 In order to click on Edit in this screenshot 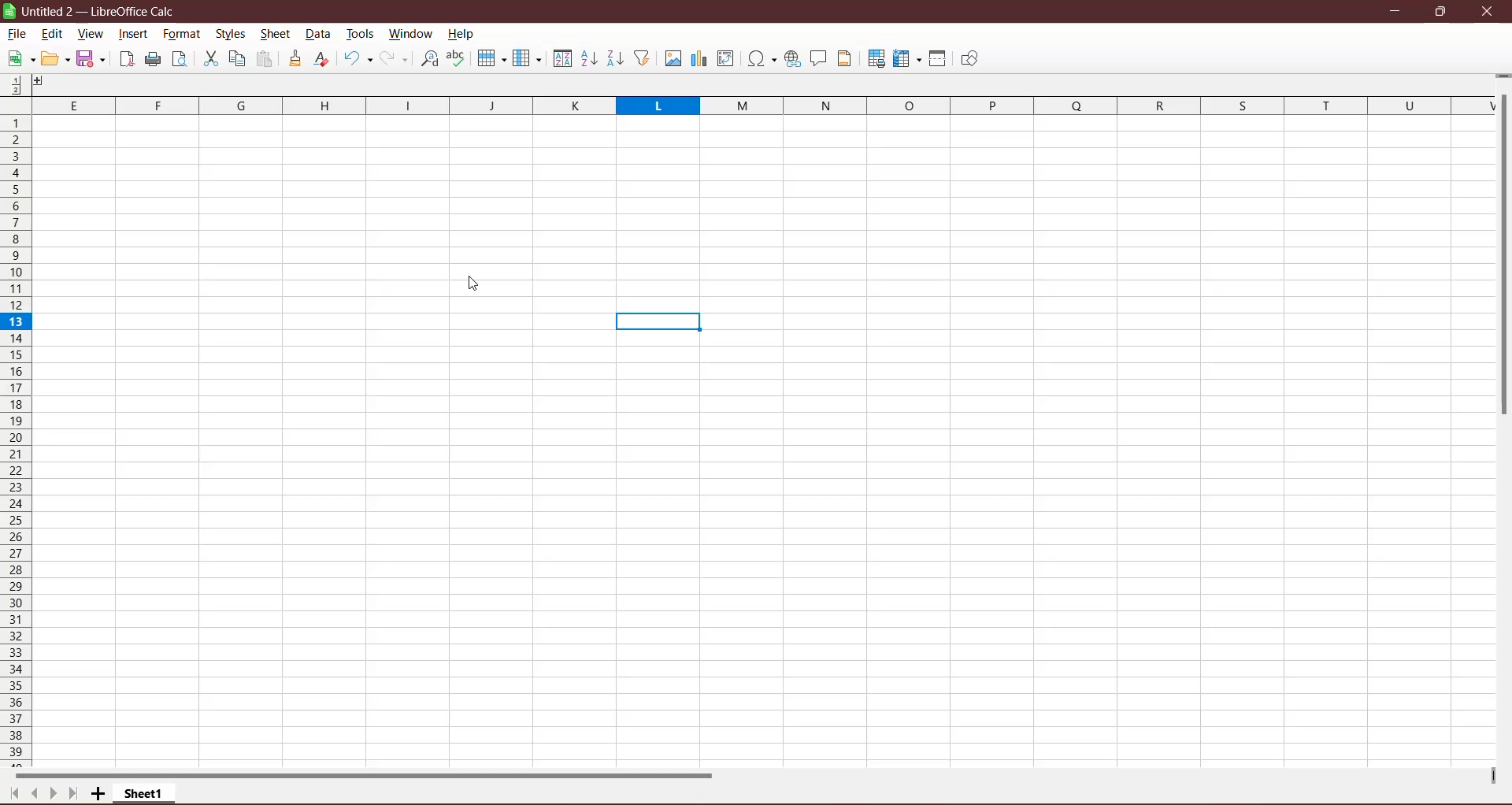, I will do `click(56, 59)`.